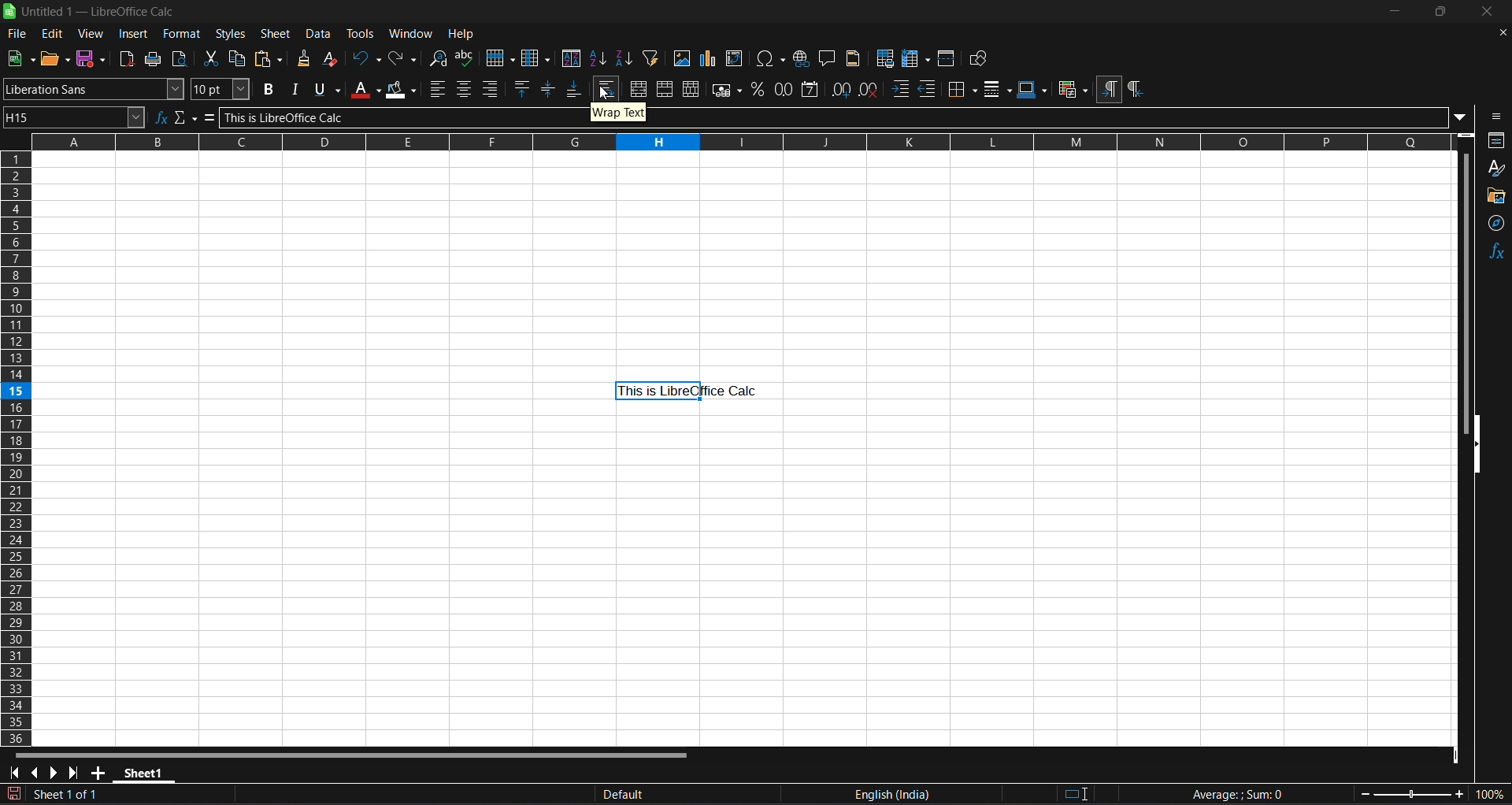 The width and height of the screenshot is (1512, 805). I want to click on sort descending, so click(625, 57).